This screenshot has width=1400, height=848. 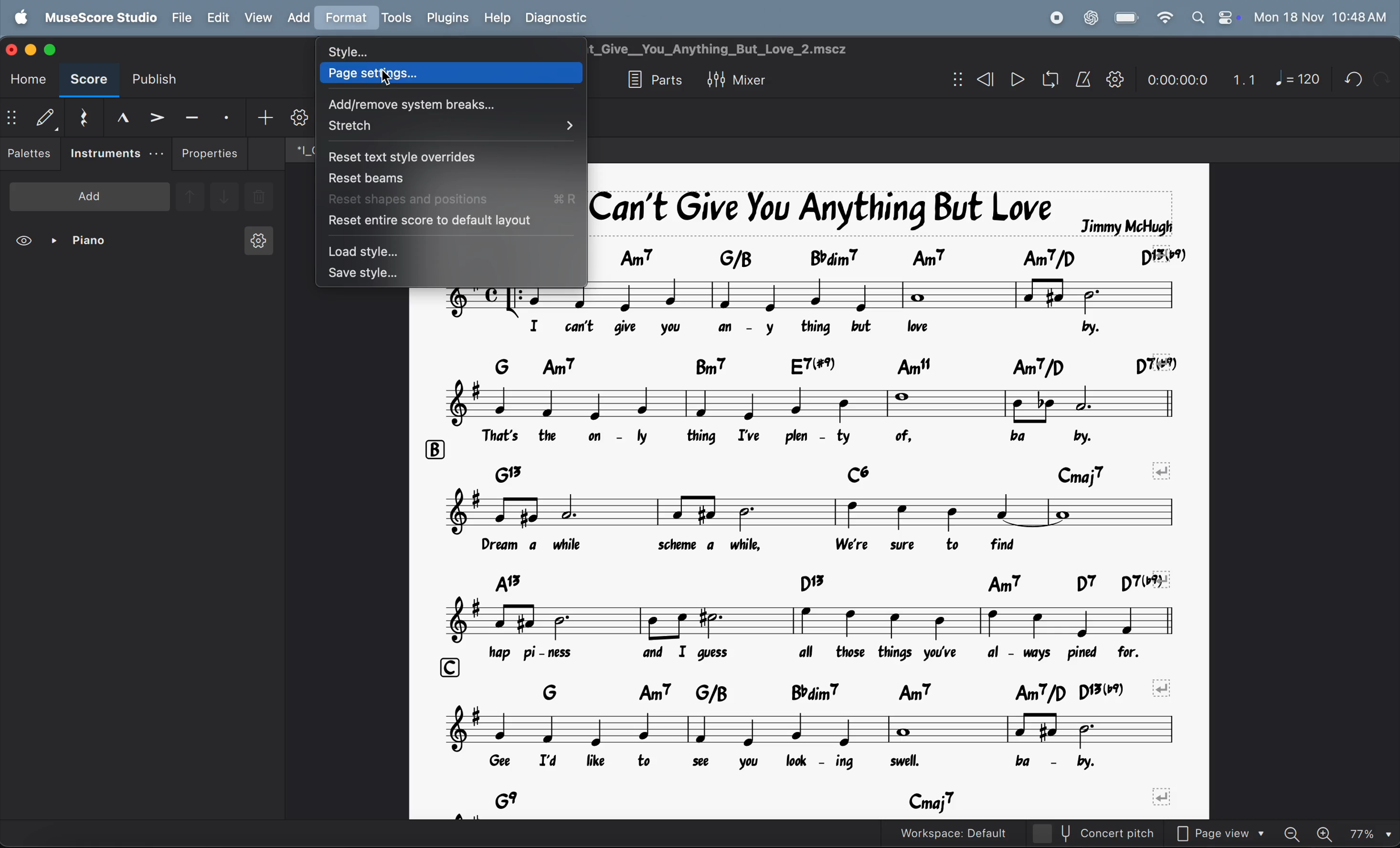 I want to click on add, so click(x=90, y=195).